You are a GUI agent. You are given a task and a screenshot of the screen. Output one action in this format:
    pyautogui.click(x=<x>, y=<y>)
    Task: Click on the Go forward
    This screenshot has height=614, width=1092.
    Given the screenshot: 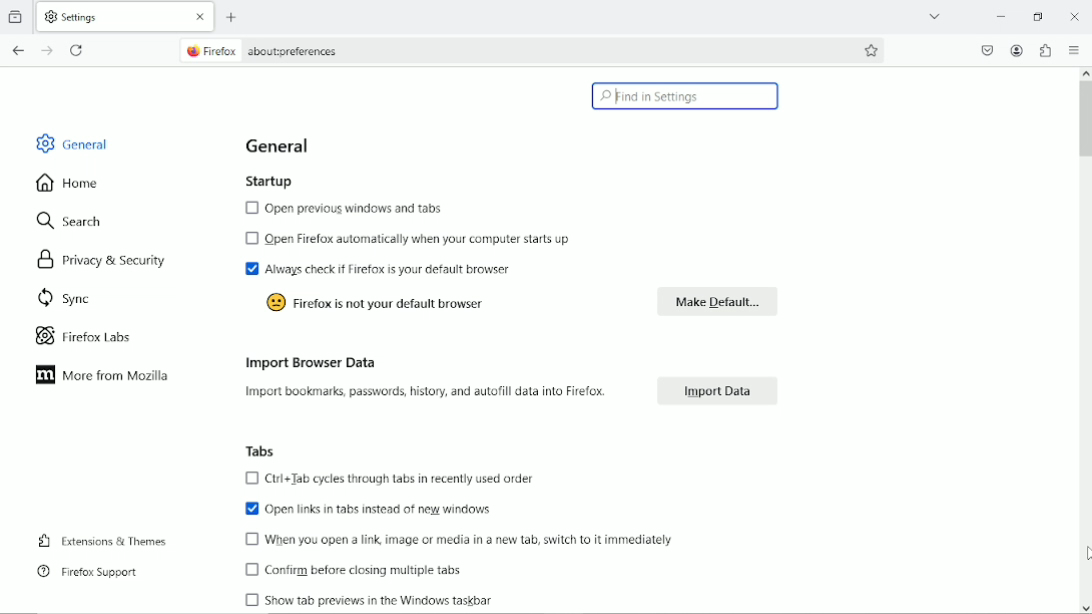 What is the action you would take?
    pyautogui.click(x=46, y=50)
    